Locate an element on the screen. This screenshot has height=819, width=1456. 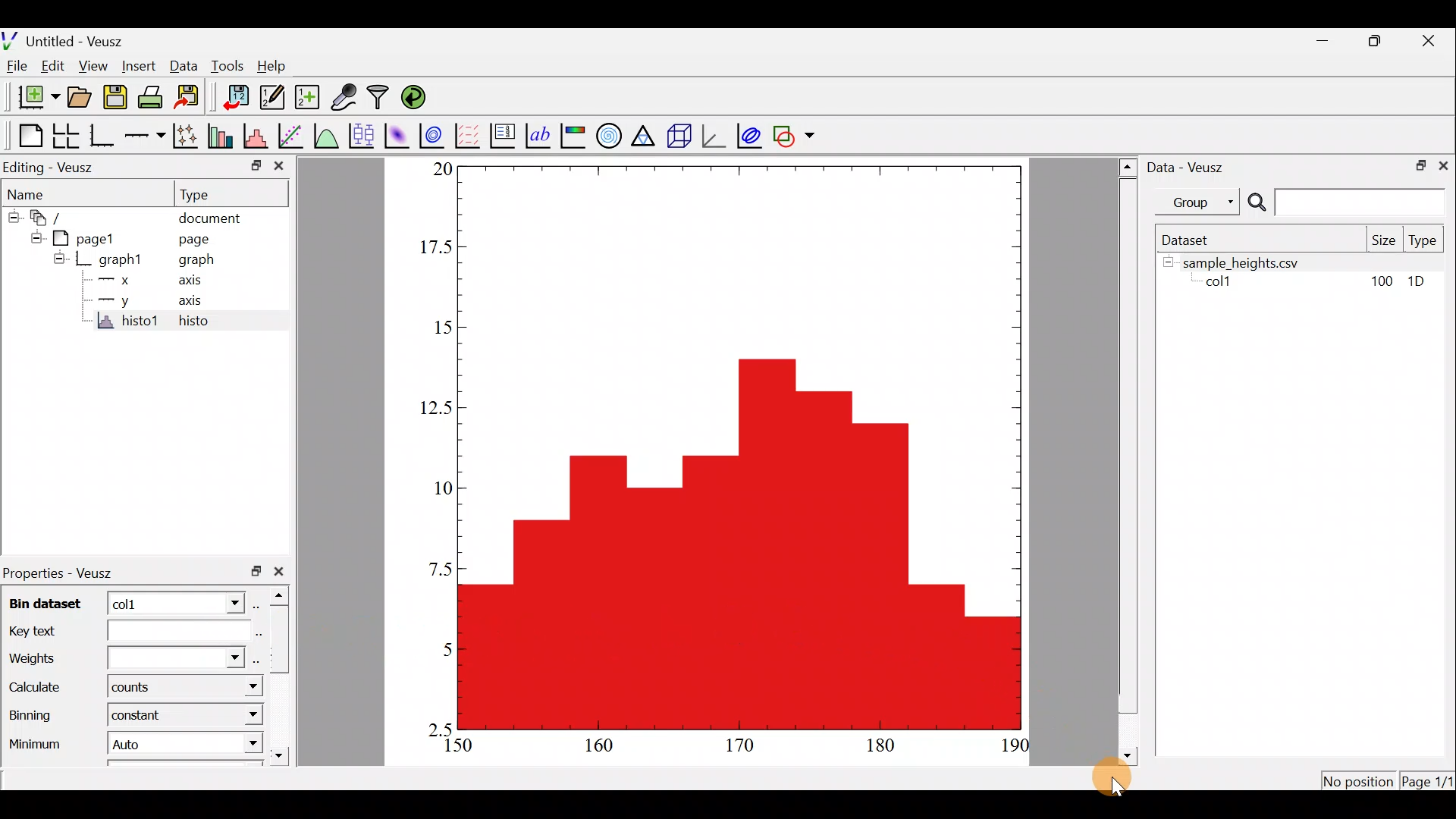
close is located at coordinates (1446, 165).